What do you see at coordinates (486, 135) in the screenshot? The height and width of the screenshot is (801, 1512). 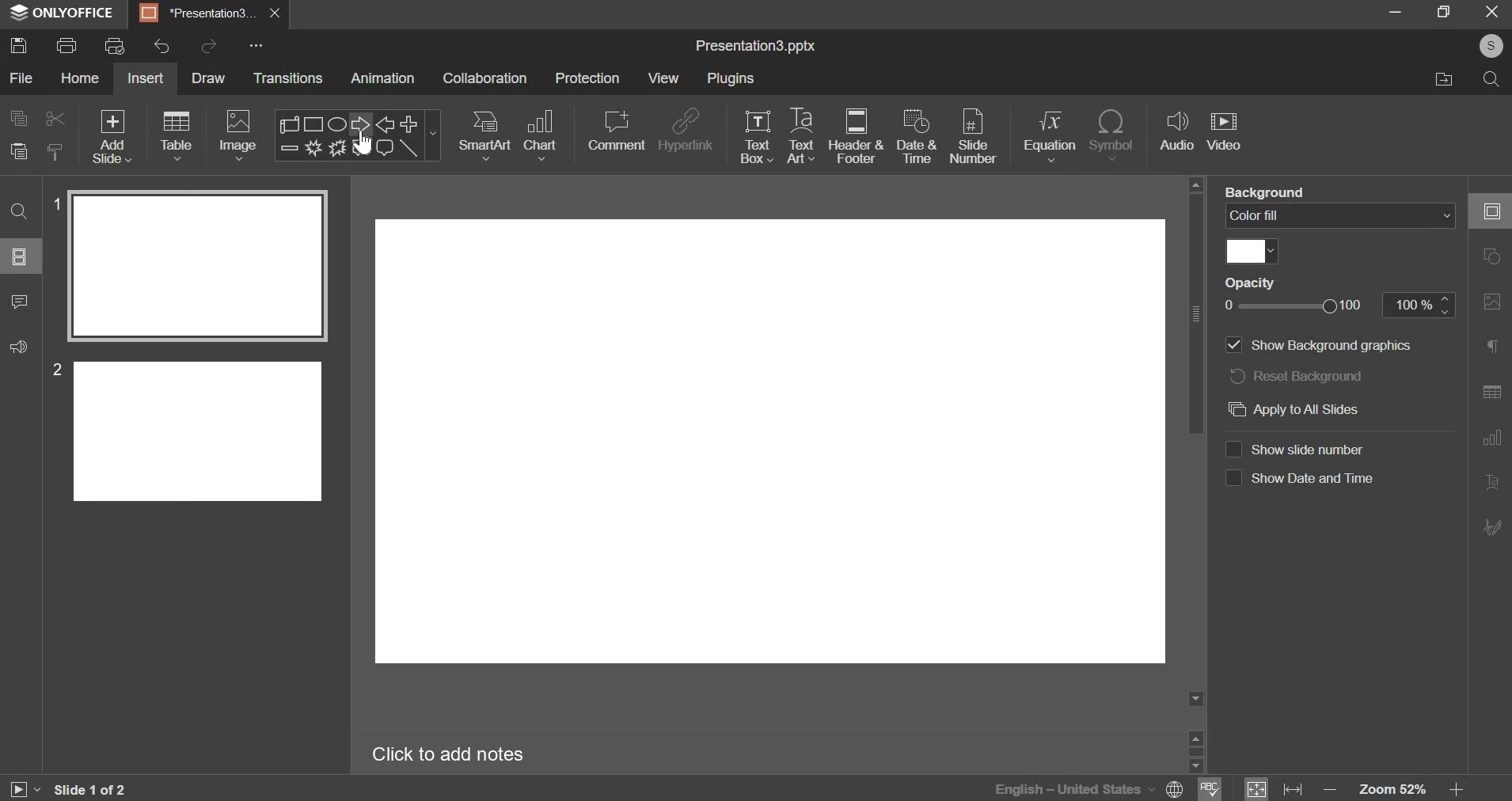 I see `smart art` at bounding box center [486, 135].